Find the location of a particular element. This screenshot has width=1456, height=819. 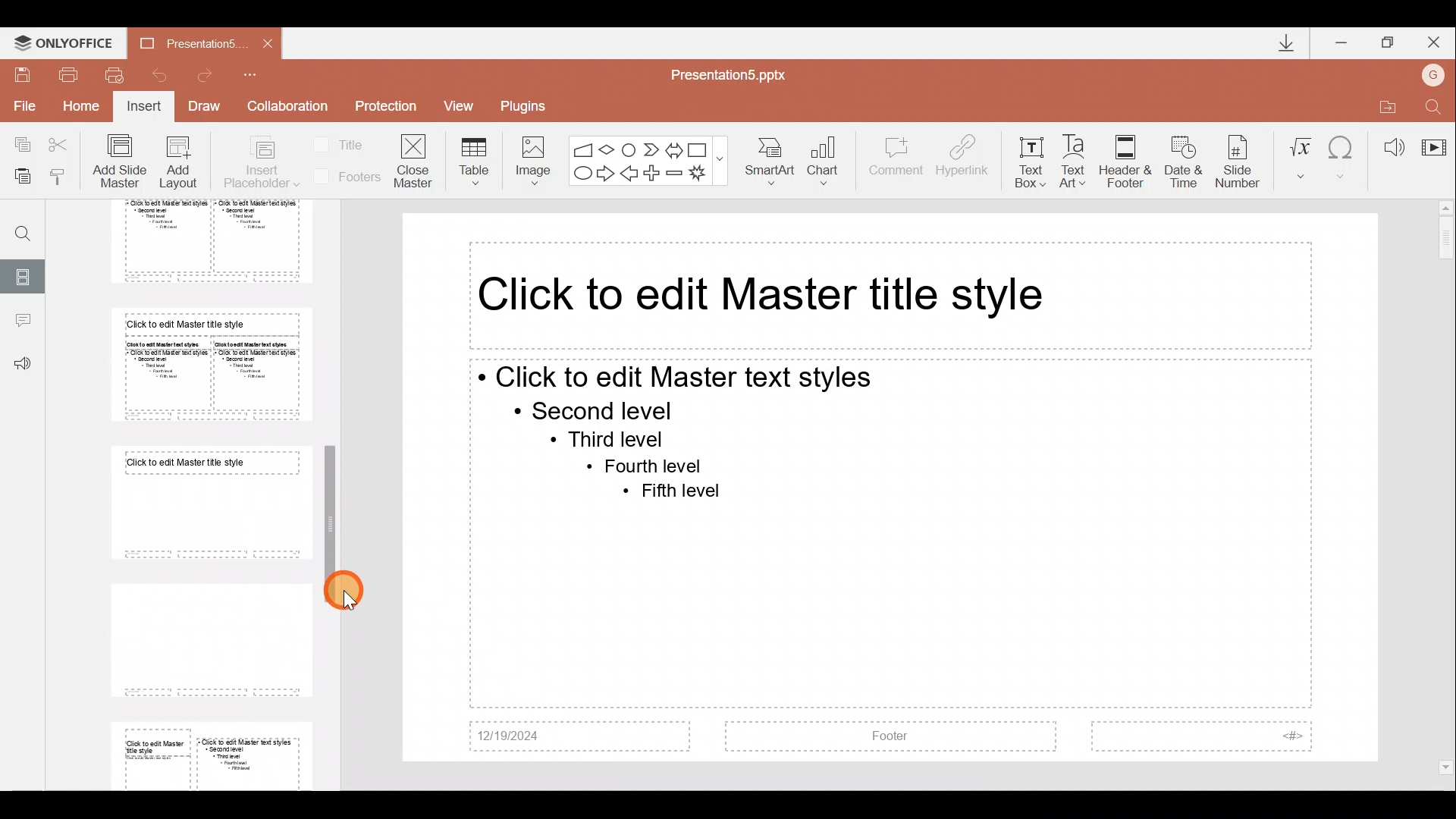

Slide 9 is located at coordinates (215, 753).